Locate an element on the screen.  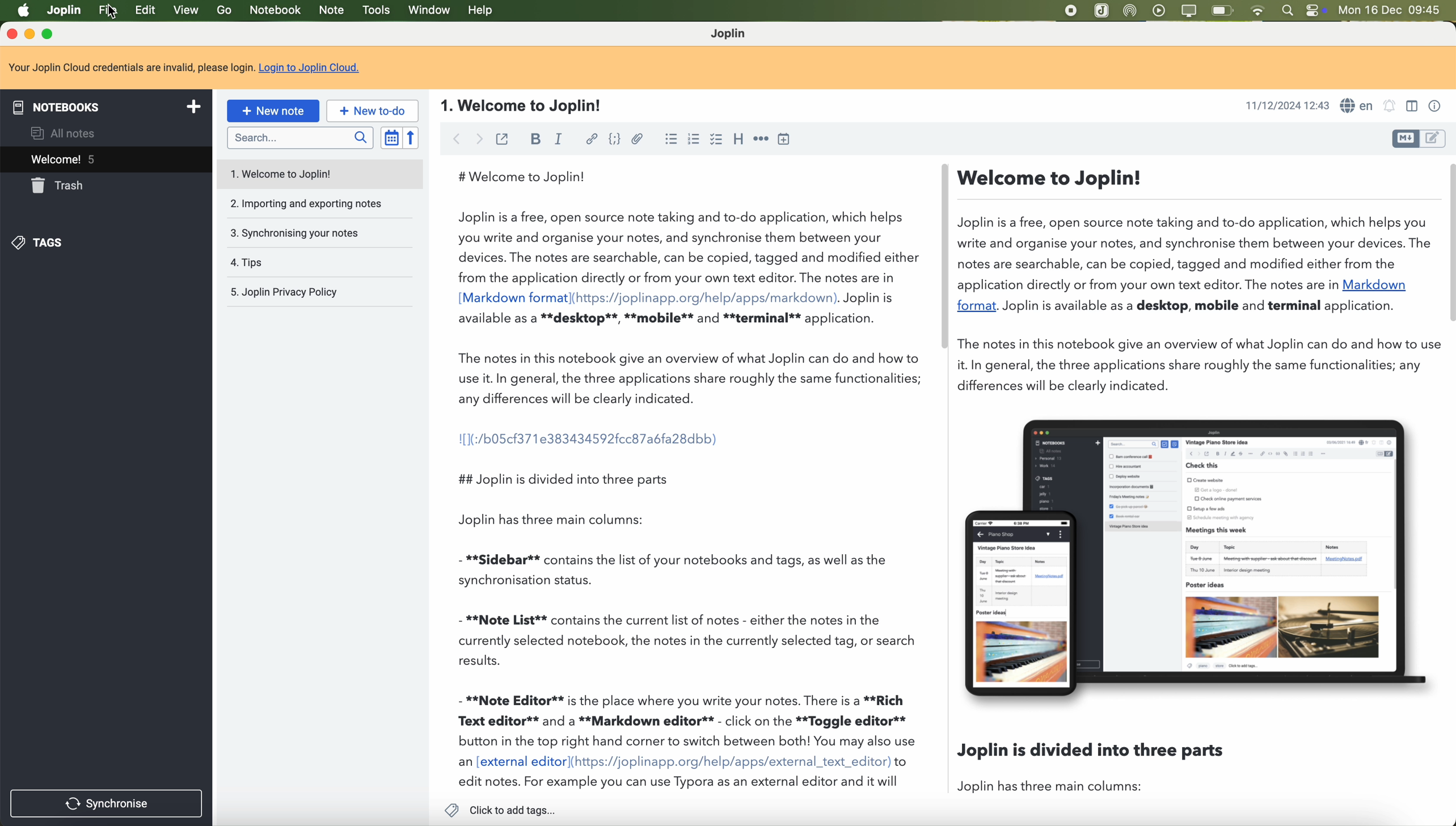
insert time is located at coordinates (783, 139).